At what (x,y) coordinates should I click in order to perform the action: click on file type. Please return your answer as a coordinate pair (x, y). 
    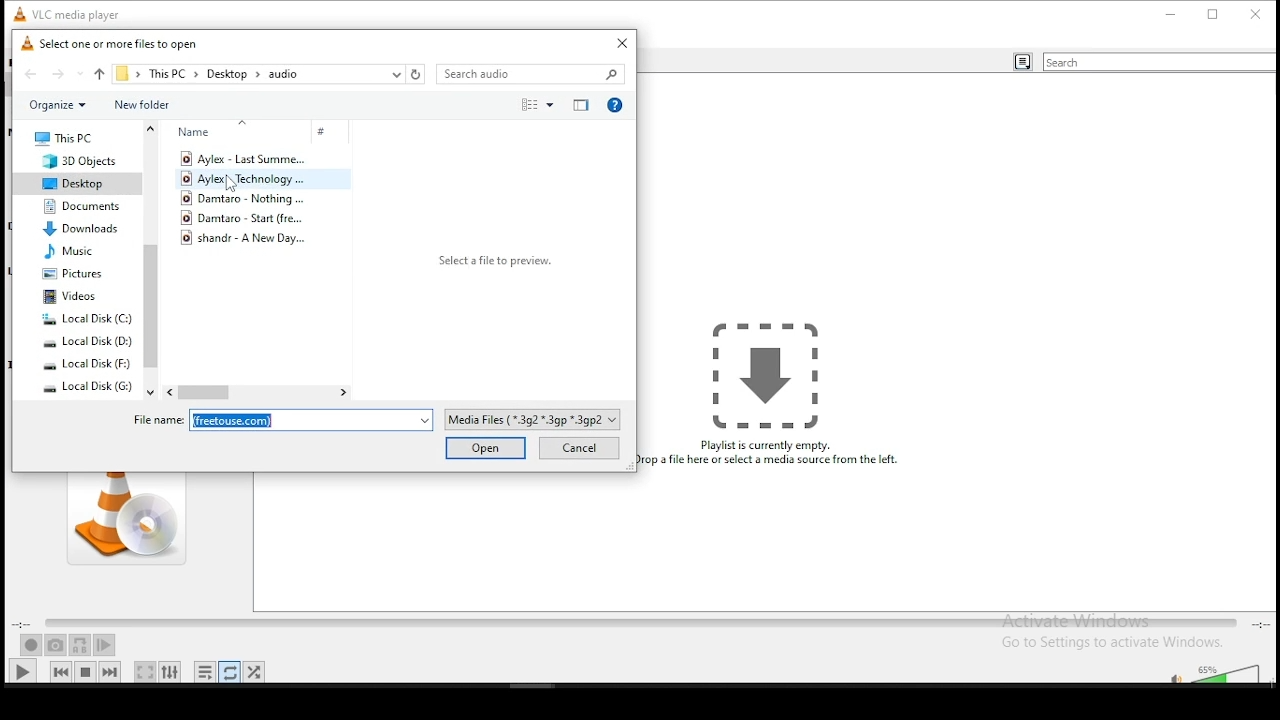
    Looking at the image, I should click on (536, 418).